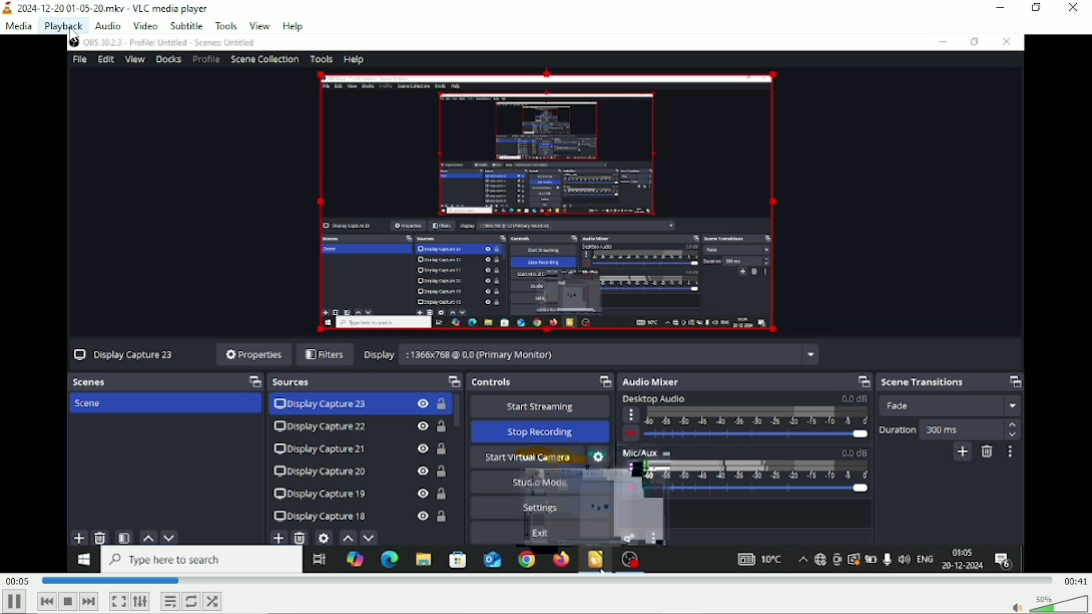 This screenshot has width=1092, height=614. What do you see at coordinates (545, 304) in the screenshot?
I see `Video` at bounding box center [545, 304].